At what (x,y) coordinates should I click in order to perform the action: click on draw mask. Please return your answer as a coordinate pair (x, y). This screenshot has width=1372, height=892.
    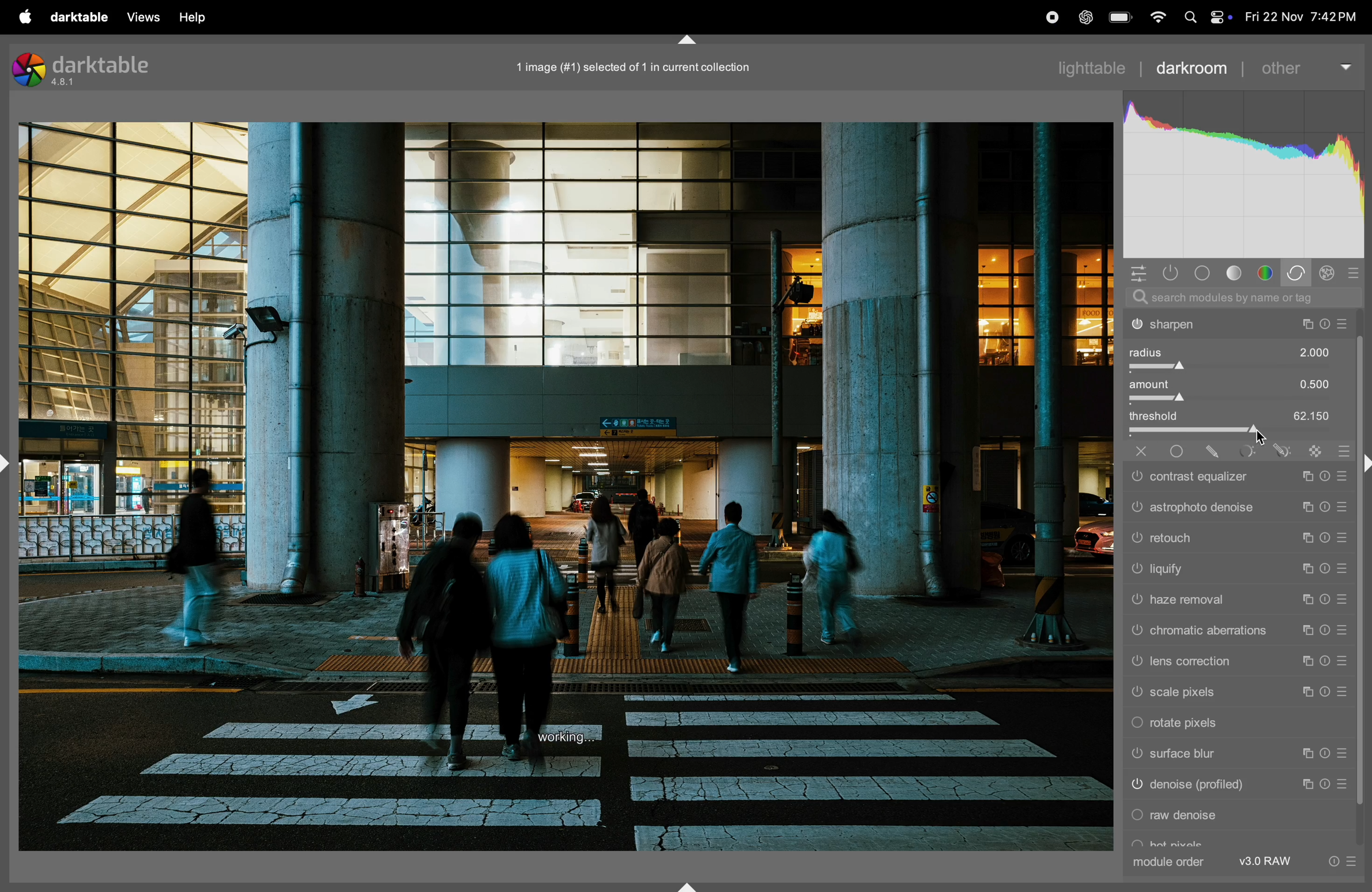
    Looking at the image, I should click on (1212, 450).